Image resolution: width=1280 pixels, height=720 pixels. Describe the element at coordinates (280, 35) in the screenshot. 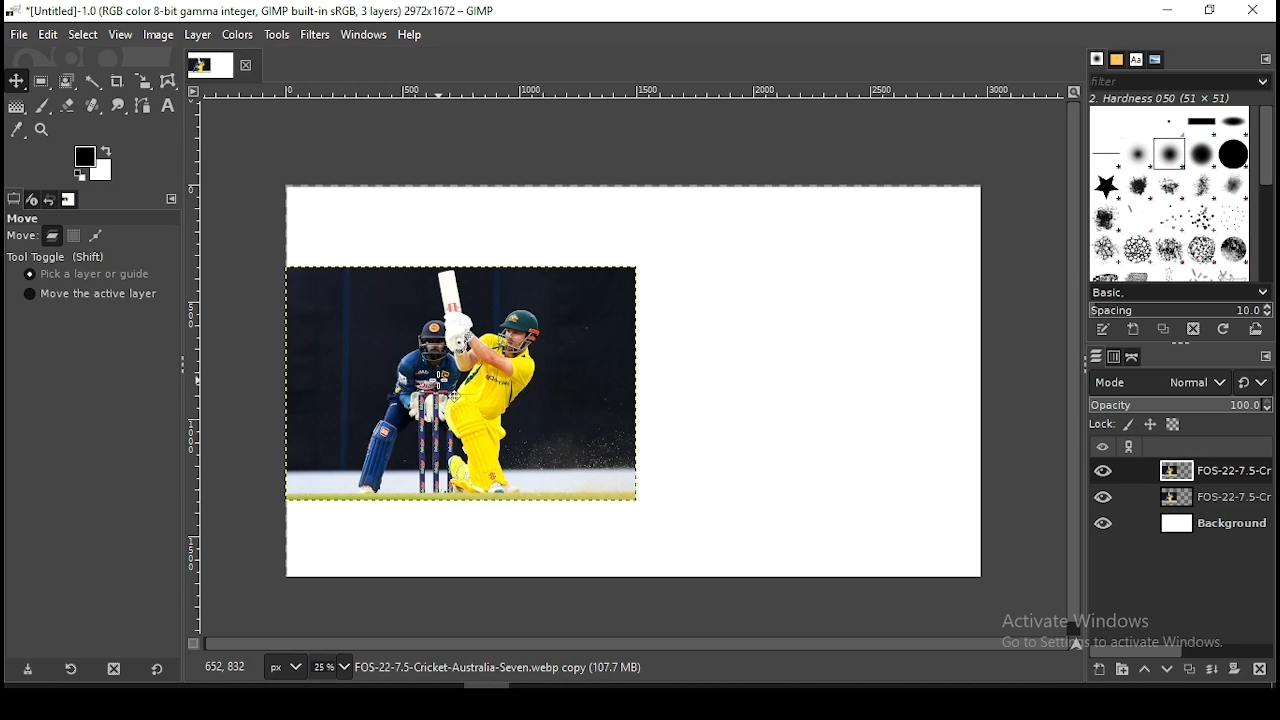

I see `tools` at that location.